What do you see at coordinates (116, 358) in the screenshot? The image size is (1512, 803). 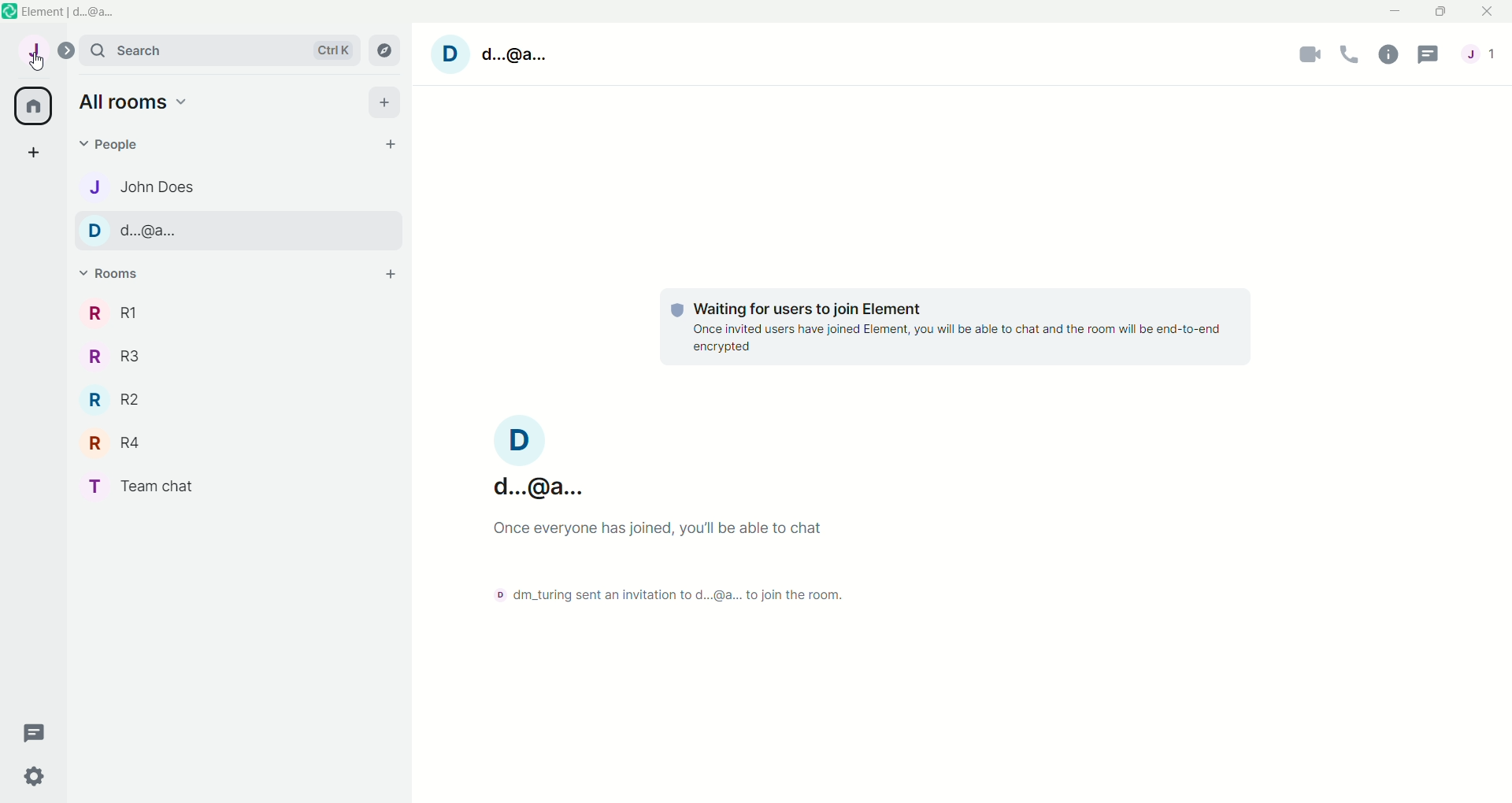 I see `R R3` at bounding box center [116, 358].